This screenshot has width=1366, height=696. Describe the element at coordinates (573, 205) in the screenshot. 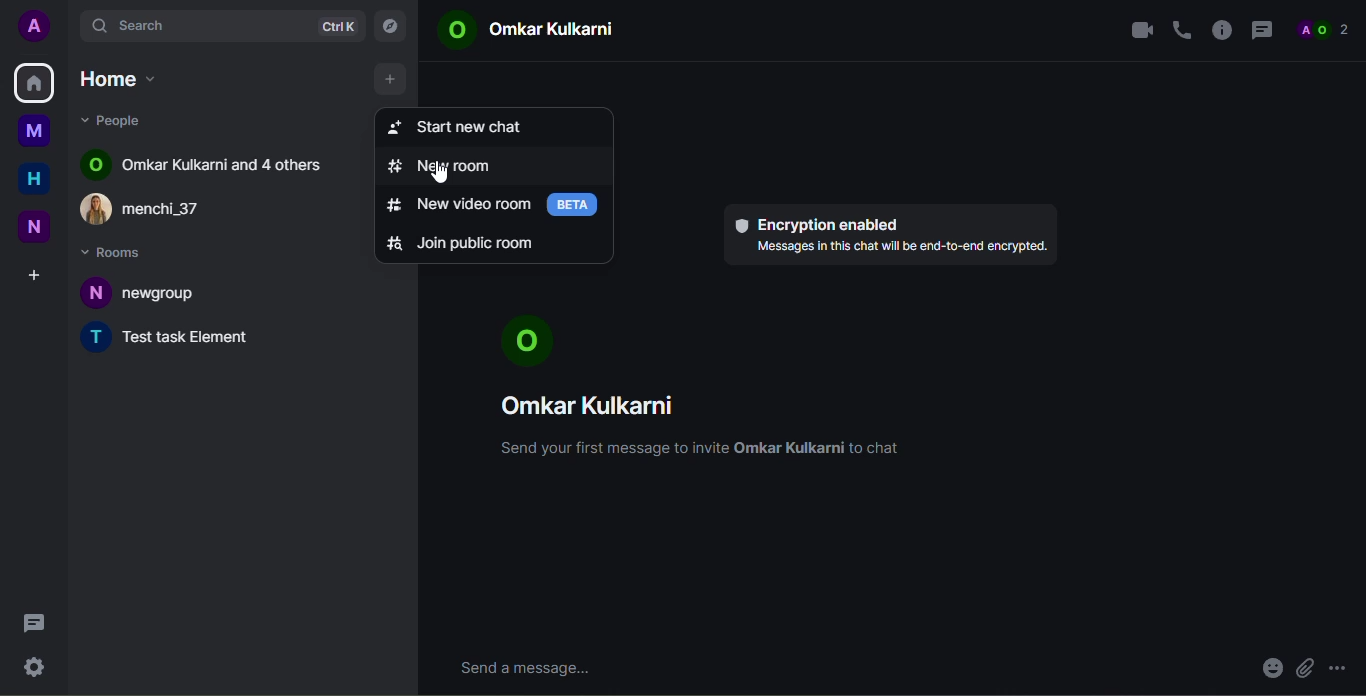

I see `beta` at that location.